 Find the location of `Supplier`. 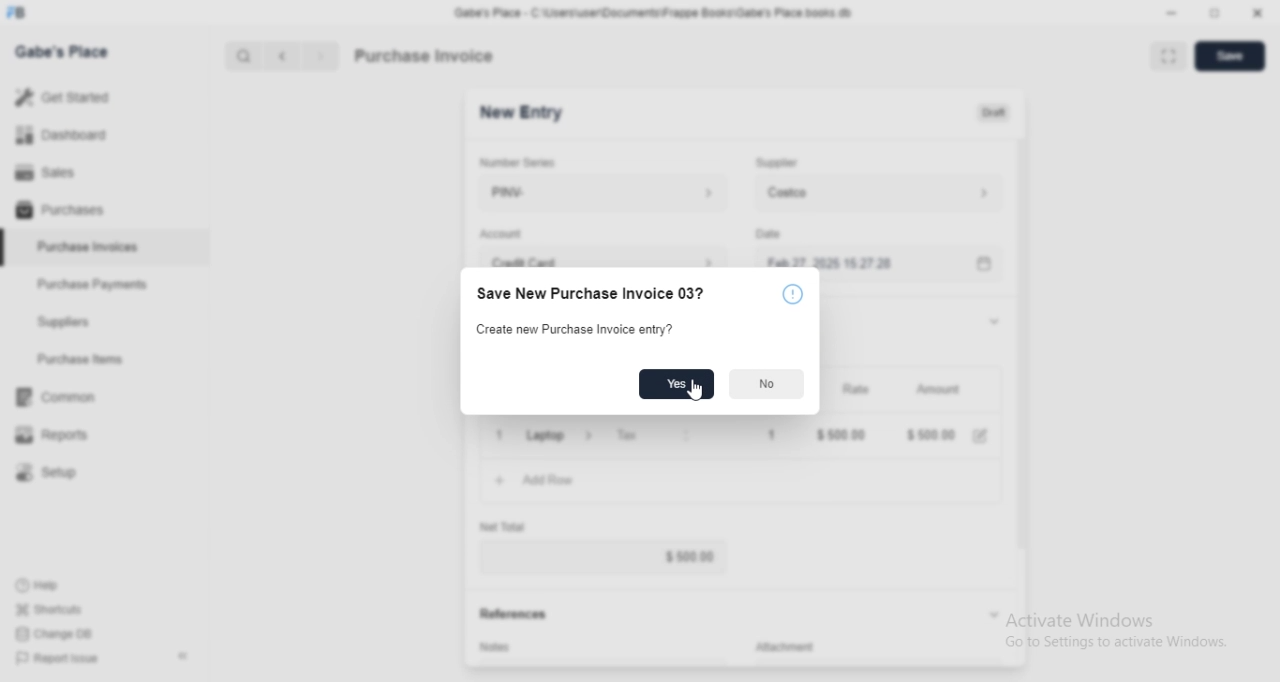

Supplier is located at coordinates (777, 163).